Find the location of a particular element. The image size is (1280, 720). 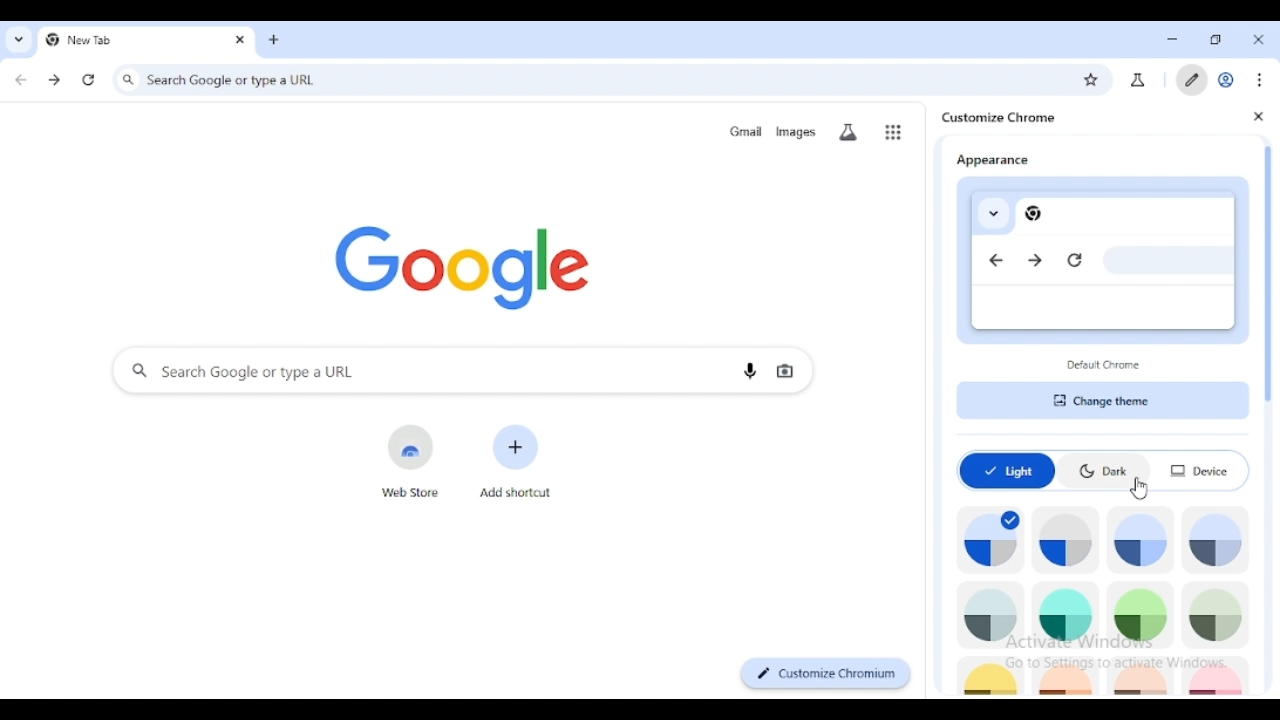

vertical scroll bar is located at coordinates (1270, 272).